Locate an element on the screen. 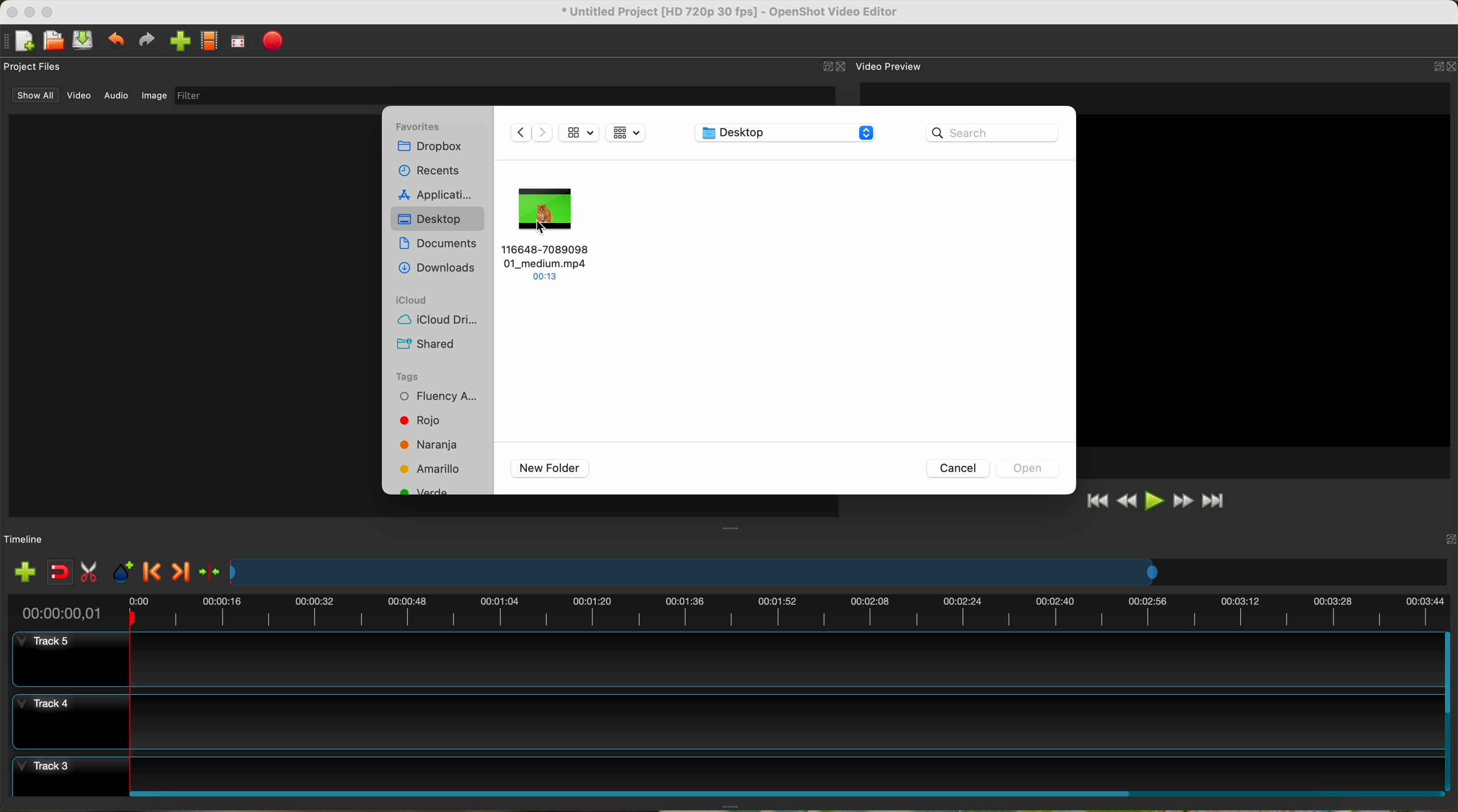 This screenshot has height=812, width=1458. cursor is located at coordinates (544, 231).